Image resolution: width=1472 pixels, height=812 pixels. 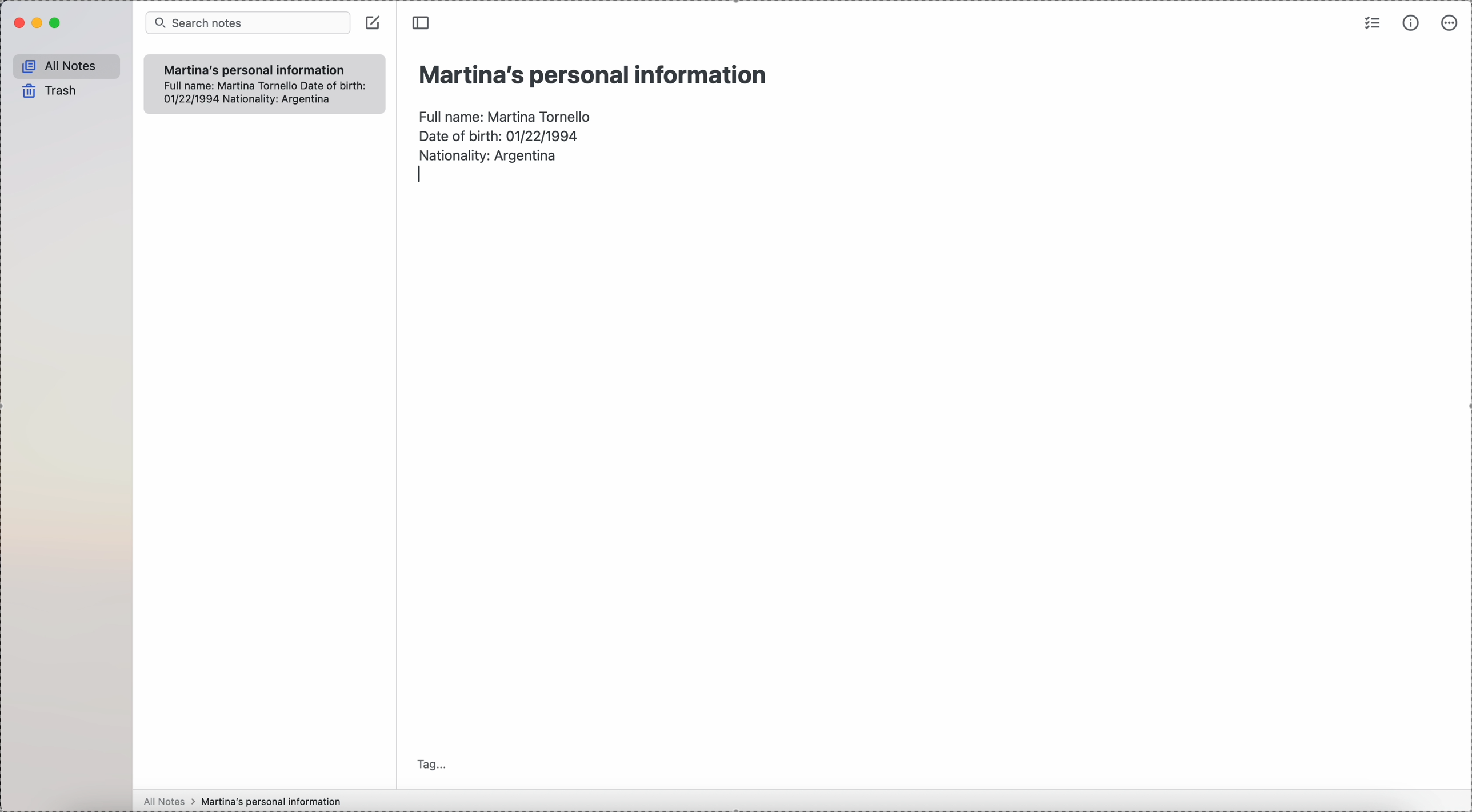 What do you see at coordinates (47, 90) in the screenshot?
I see `trash` at bounding box center [47, 90].